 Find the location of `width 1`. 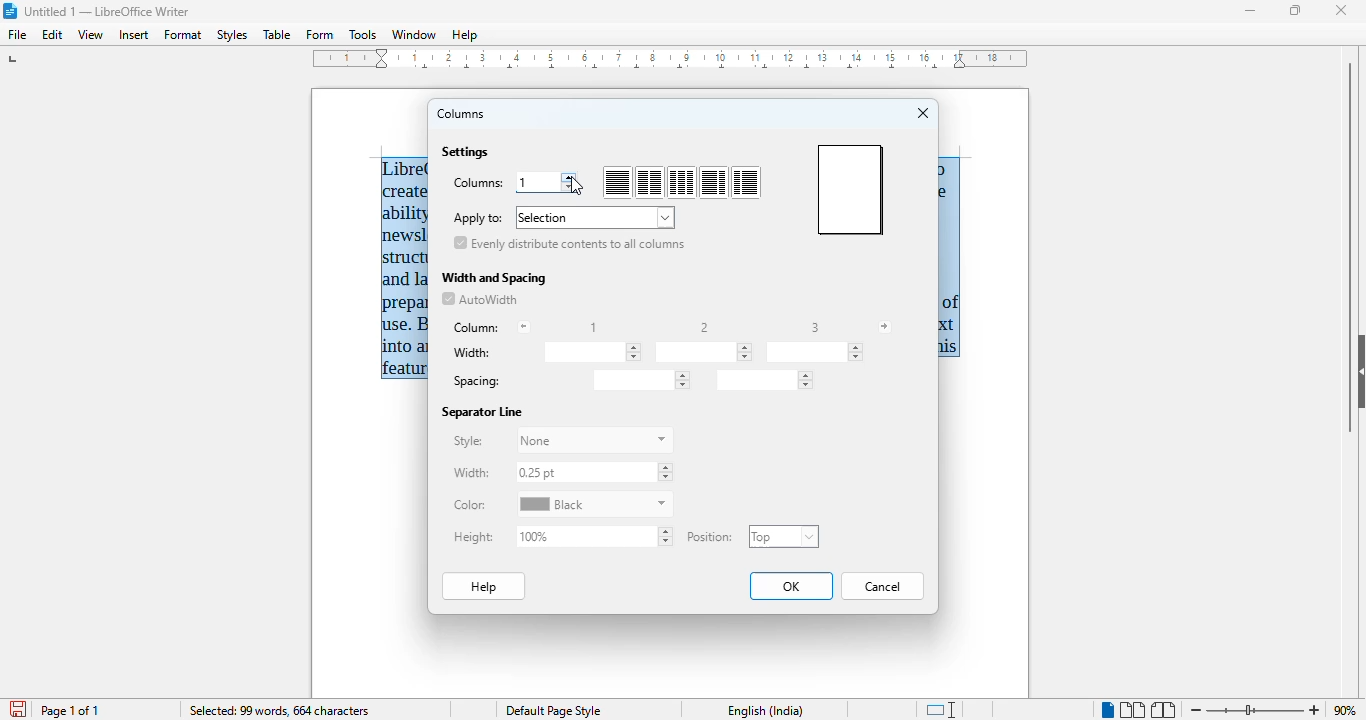

width 1 is located at coordinates (590, 352).